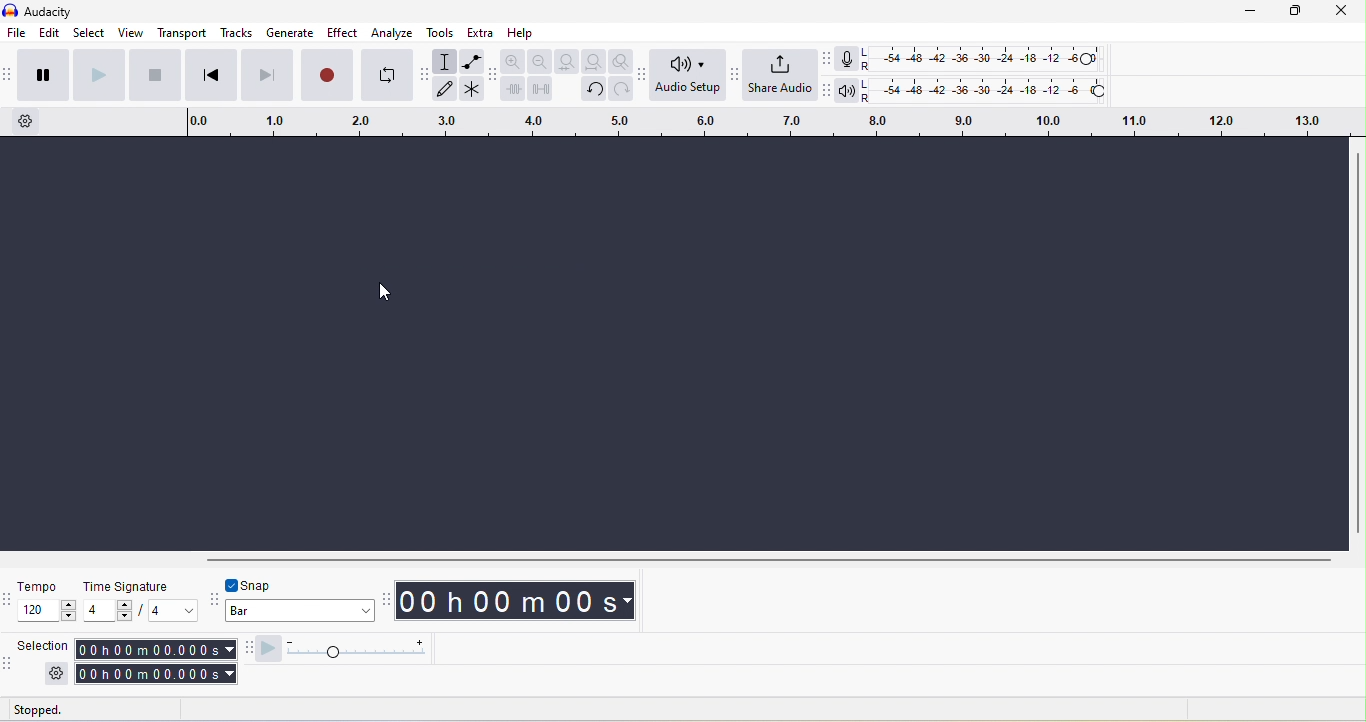 This screenshot has width=1366, height=722. I want to click on tracks, so click(236, 32).